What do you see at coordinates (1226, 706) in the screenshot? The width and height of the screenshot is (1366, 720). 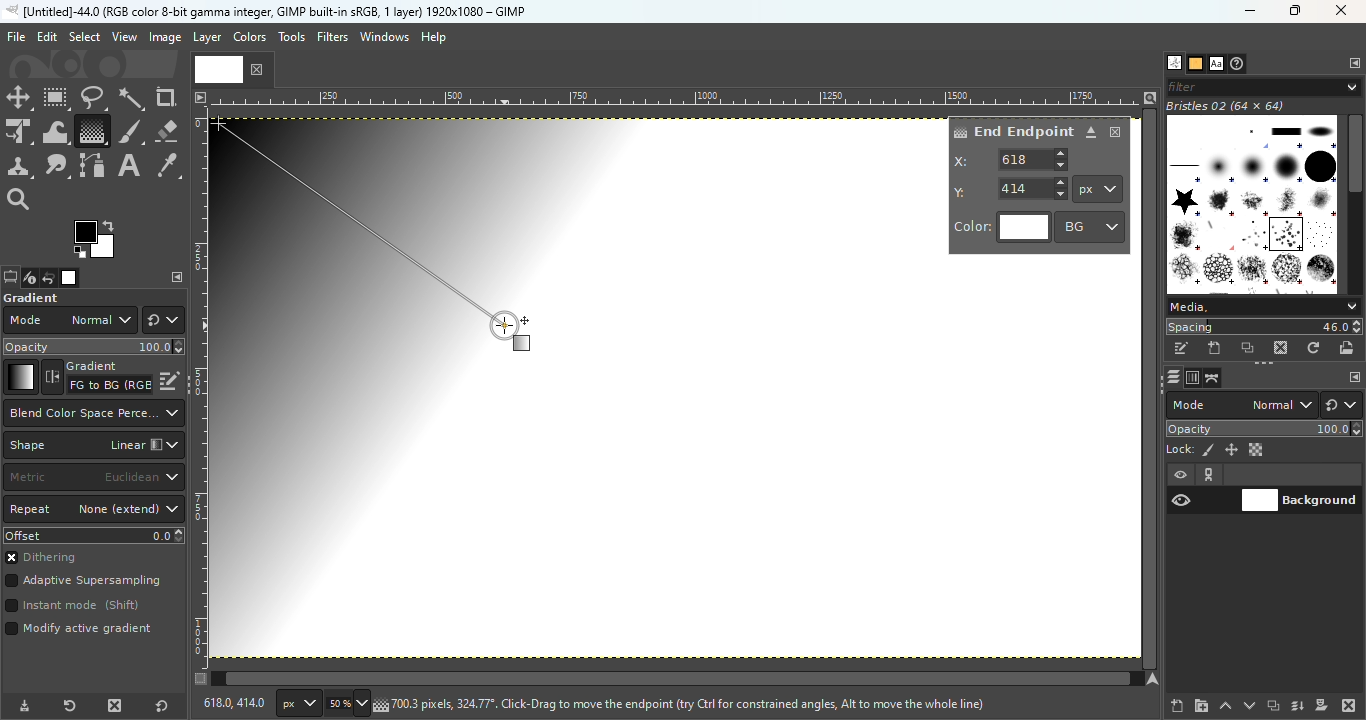 I see `Raise this layer one step in the layer stack` at bounding box center [1226, 706].